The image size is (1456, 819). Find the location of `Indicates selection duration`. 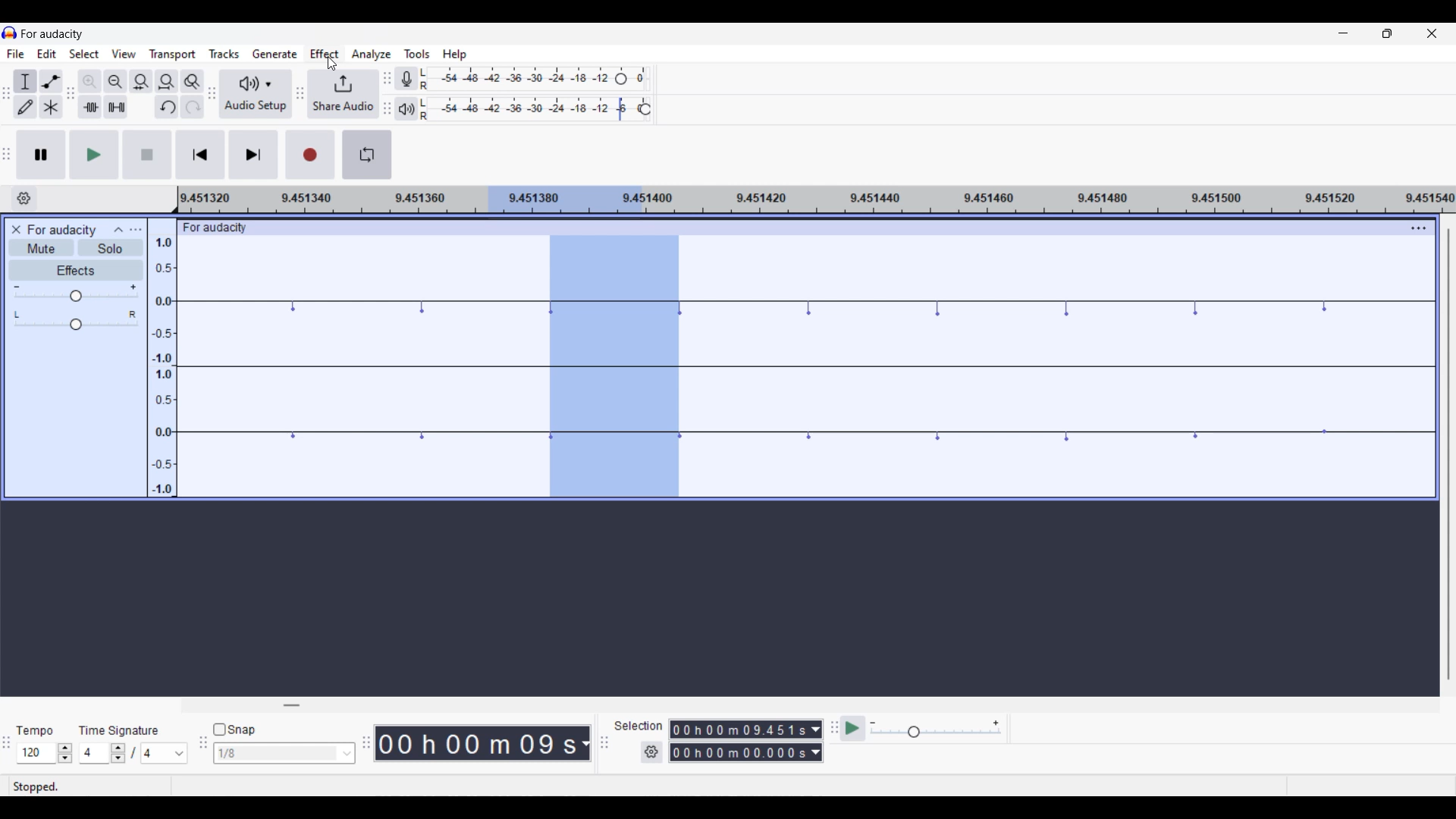

Indicates selection duration is located at coordinates (638, 726).